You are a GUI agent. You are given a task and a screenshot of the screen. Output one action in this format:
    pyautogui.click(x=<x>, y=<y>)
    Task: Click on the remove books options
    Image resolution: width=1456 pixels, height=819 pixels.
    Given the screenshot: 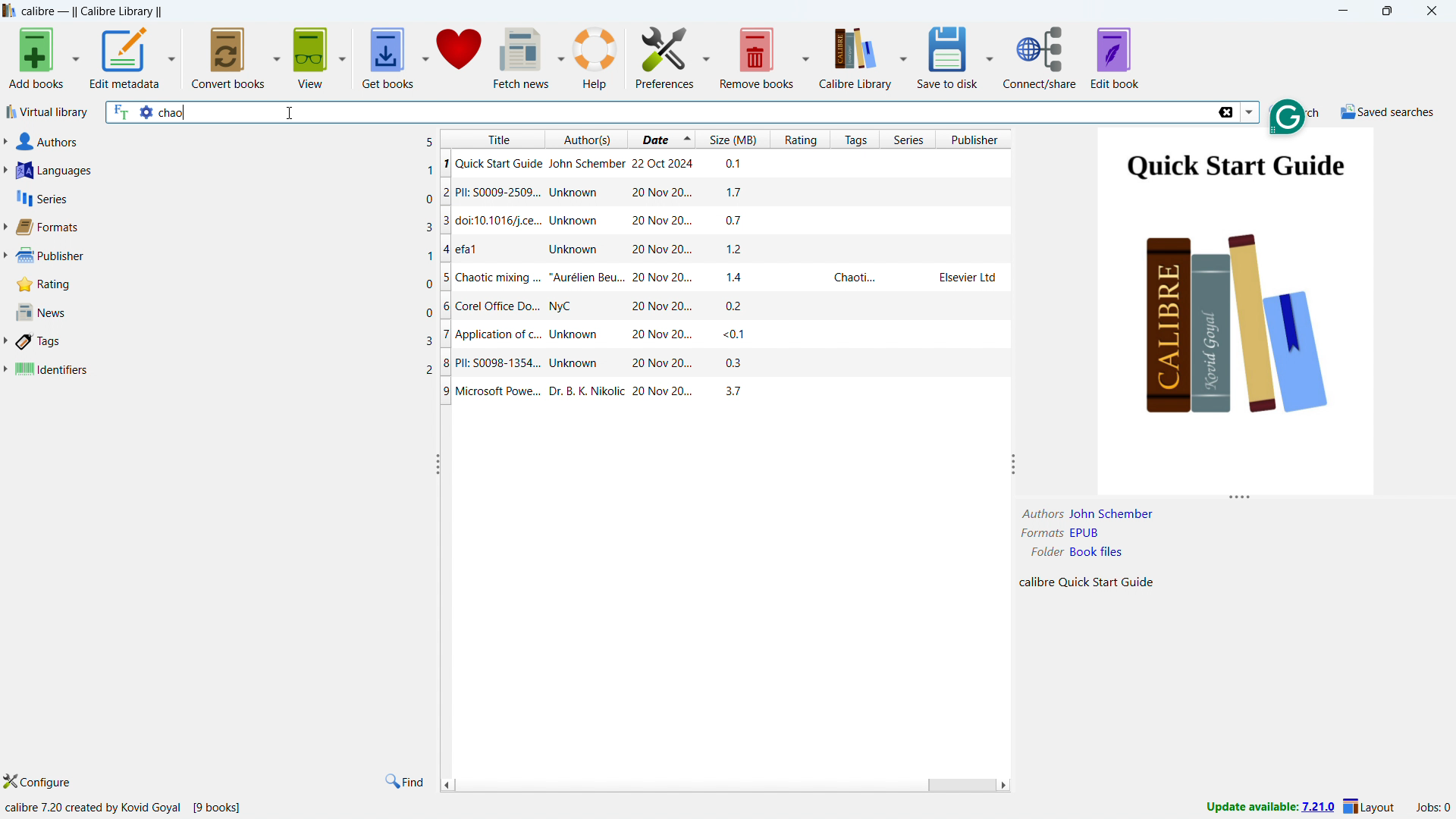 What is the action you would take?
    pyautogui.click(x=807, y=57)
    